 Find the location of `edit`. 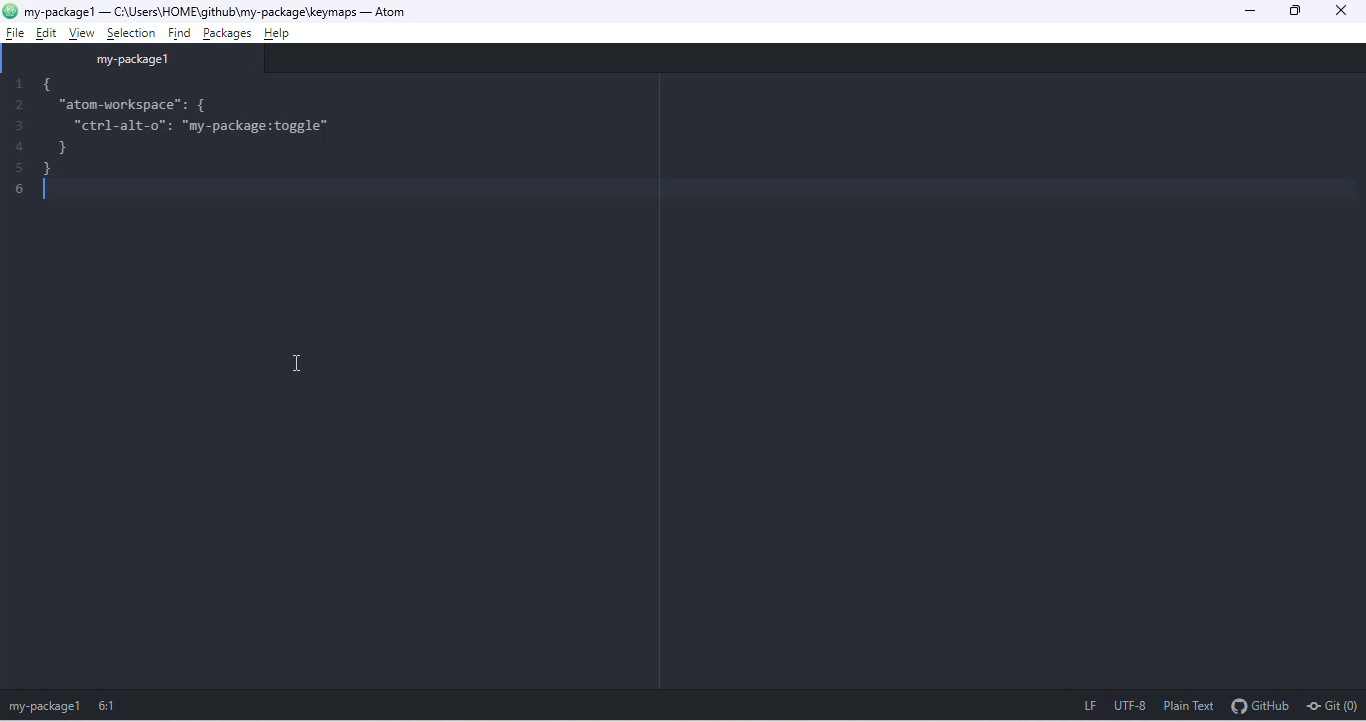

edit is located at coordinates (45, 33).